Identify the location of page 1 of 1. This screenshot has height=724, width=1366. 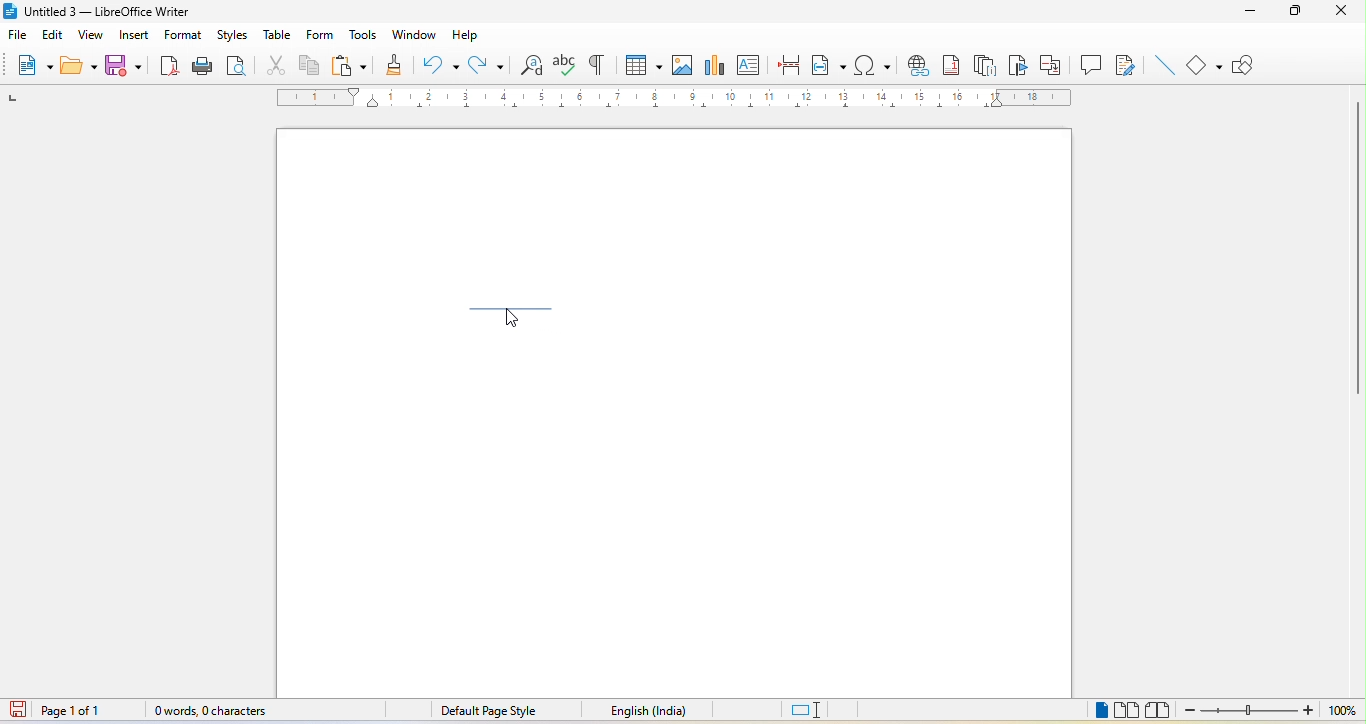
(88, 711).